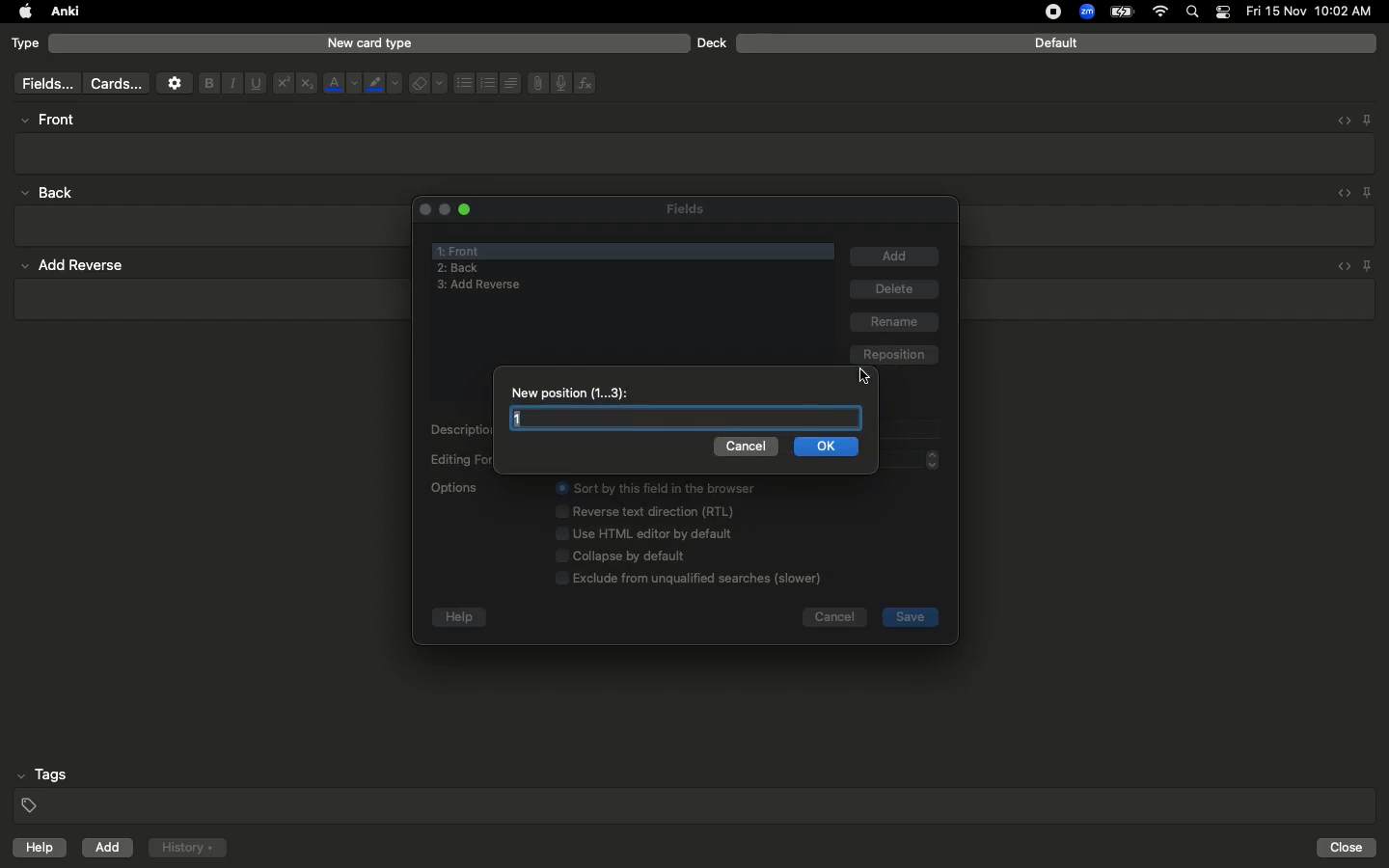 The width and height of the screenshot is (1389, 868). I want to click on Internet, so click(1162, 13).